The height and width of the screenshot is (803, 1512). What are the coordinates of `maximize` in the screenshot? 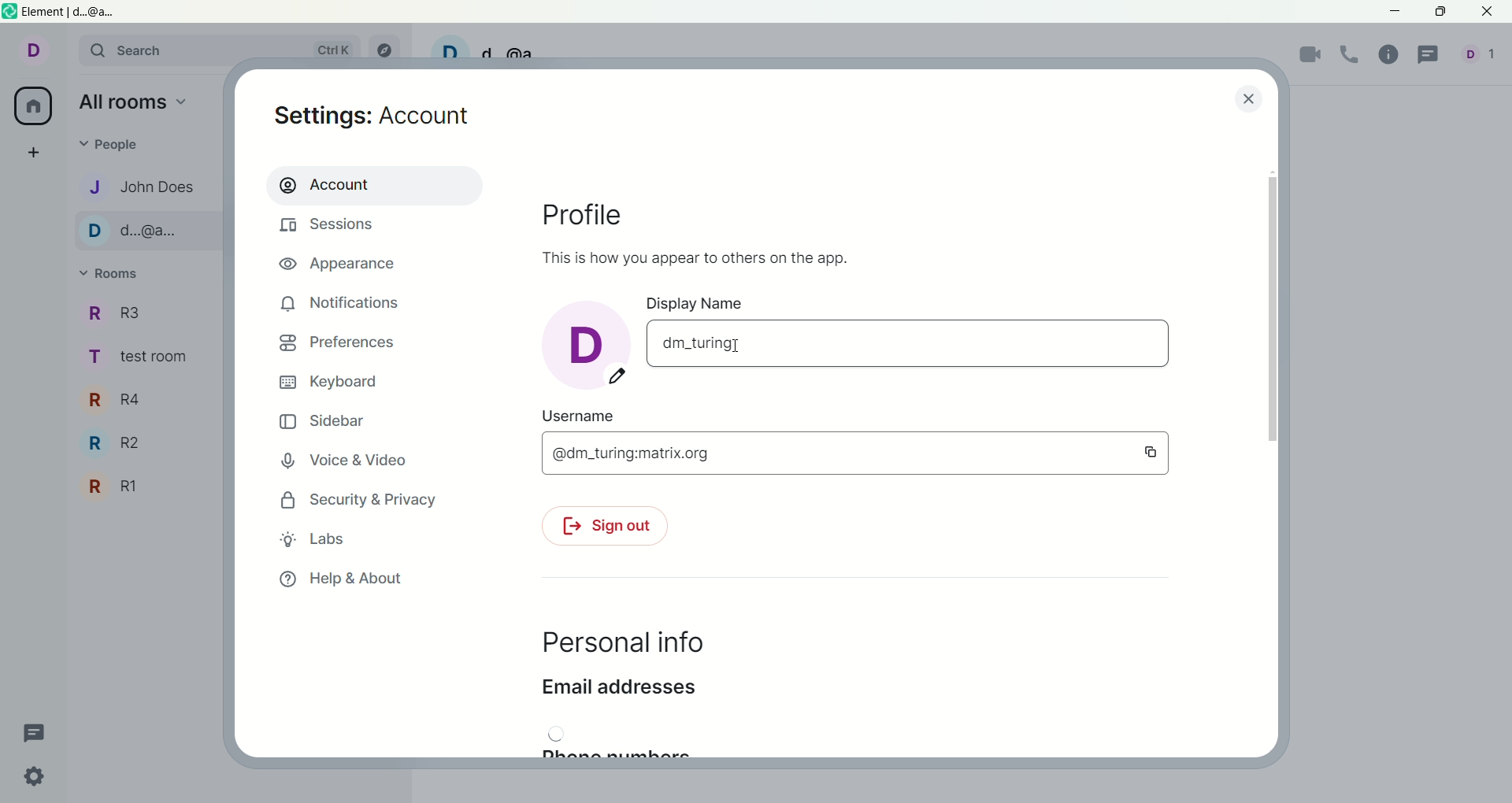 It's located at (1440, 12).